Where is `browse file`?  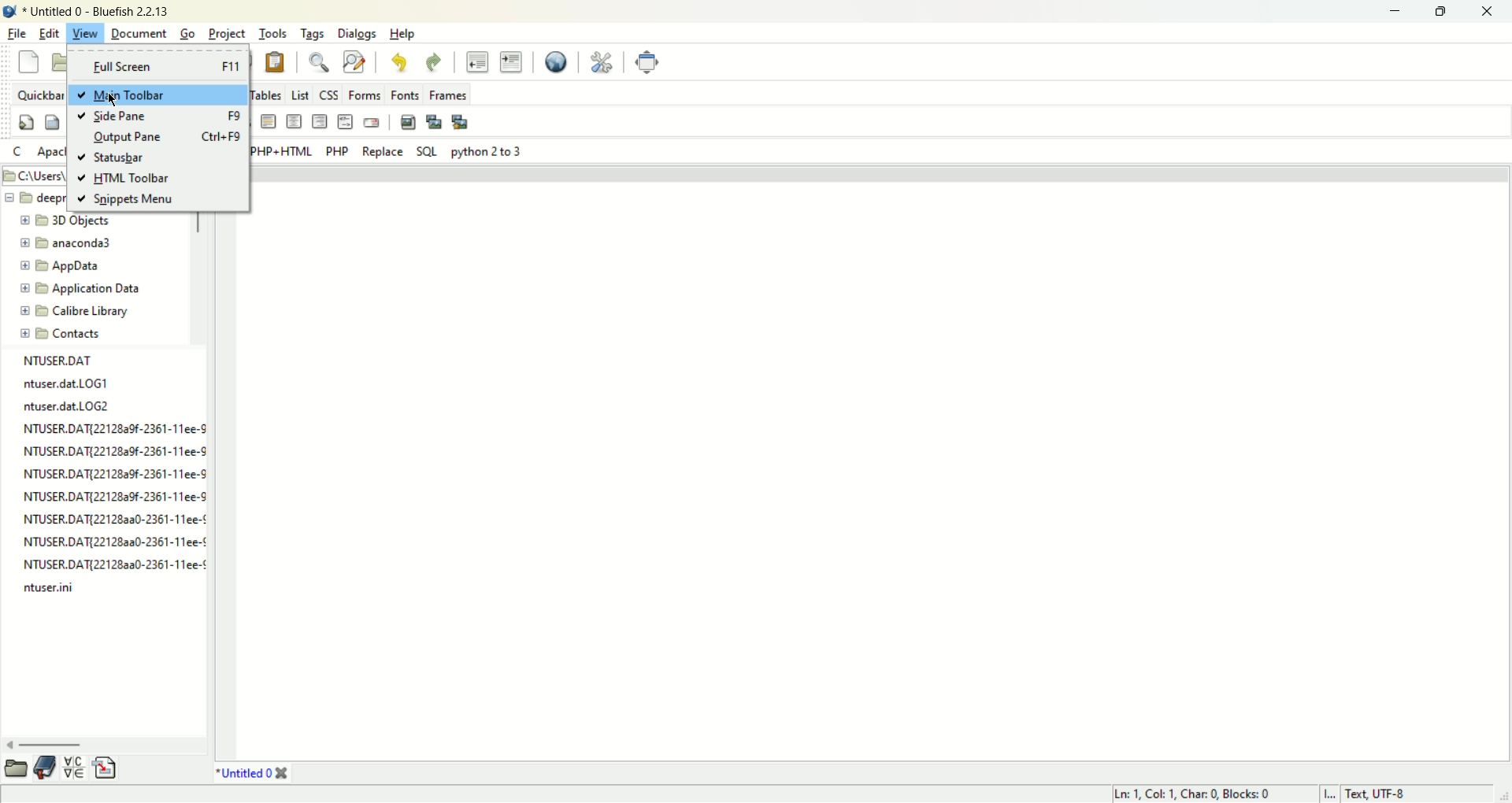 browse file is located at coordinates (20, 768).